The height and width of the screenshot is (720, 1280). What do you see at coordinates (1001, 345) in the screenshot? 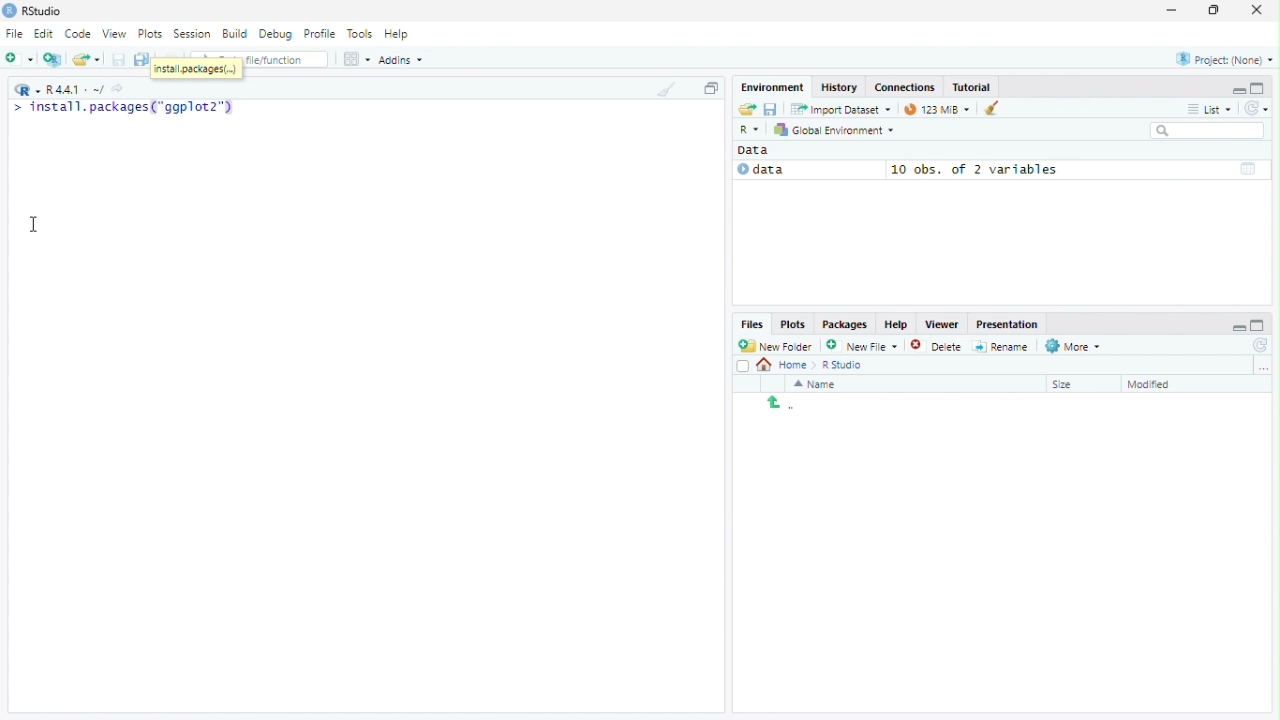
I see `Rename selected file/folder` at bounding box center [1001, 345].